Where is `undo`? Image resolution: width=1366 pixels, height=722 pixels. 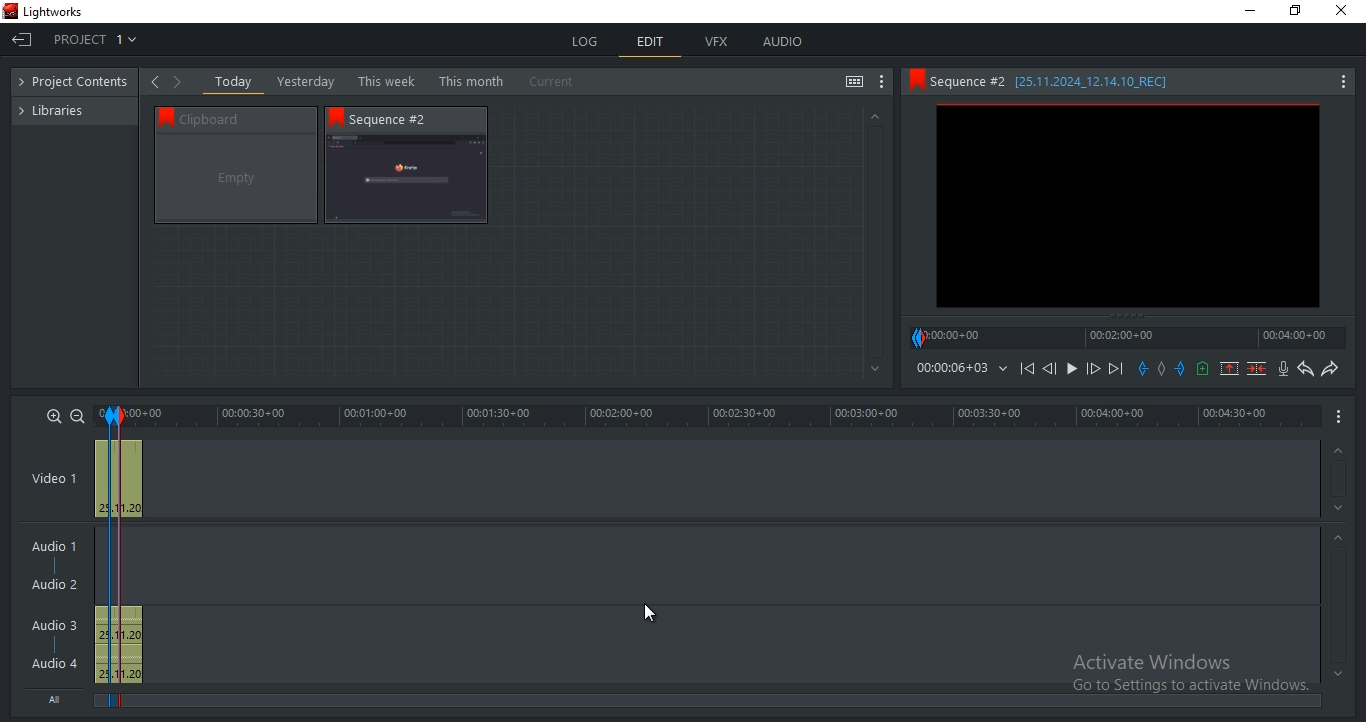
undo is located at coordinates (1306, 369).